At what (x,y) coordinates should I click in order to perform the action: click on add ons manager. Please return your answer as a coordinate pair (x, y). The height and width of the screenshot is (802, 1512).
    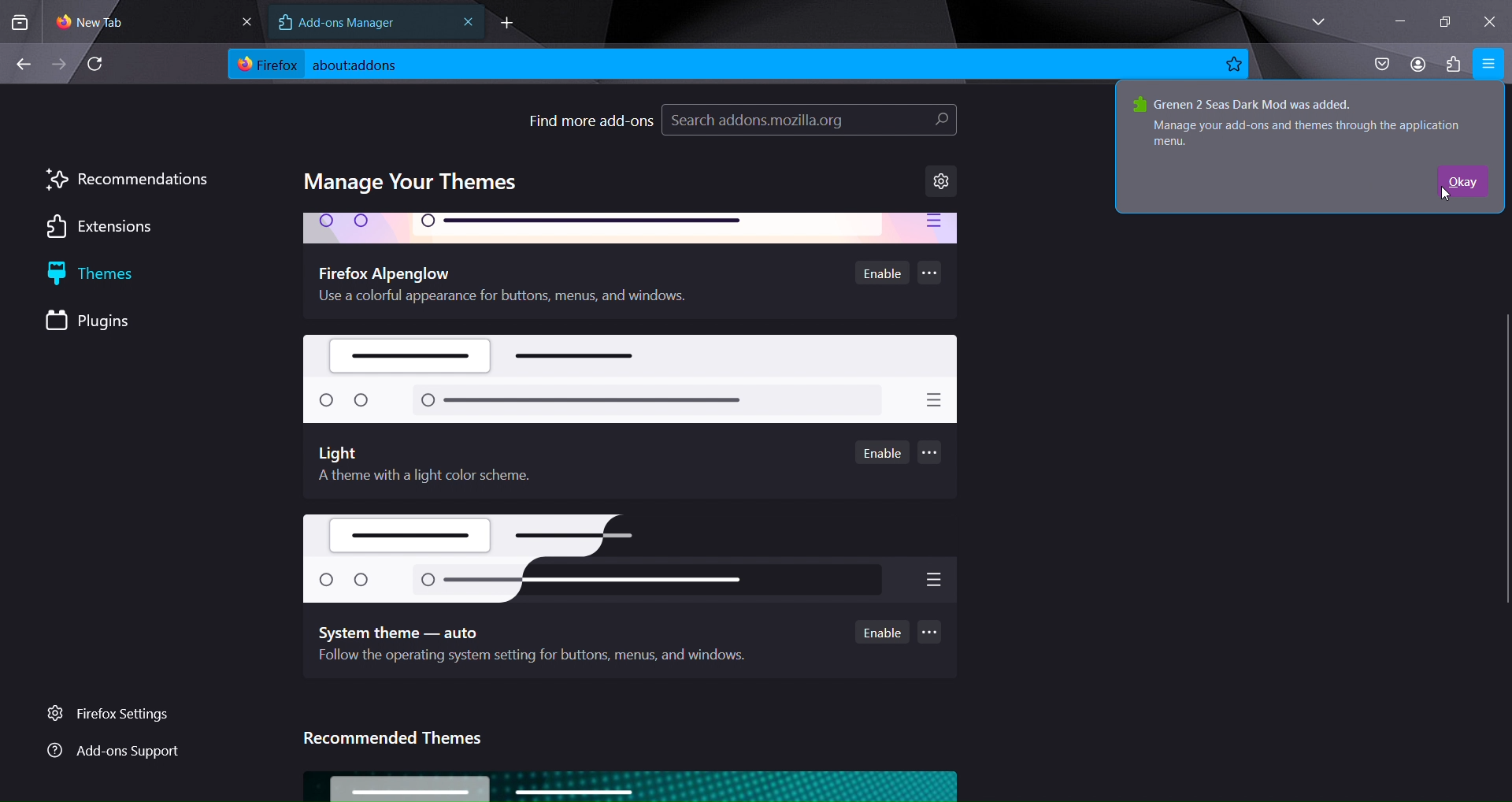
    Looking at the image, I should click on (354, 24).